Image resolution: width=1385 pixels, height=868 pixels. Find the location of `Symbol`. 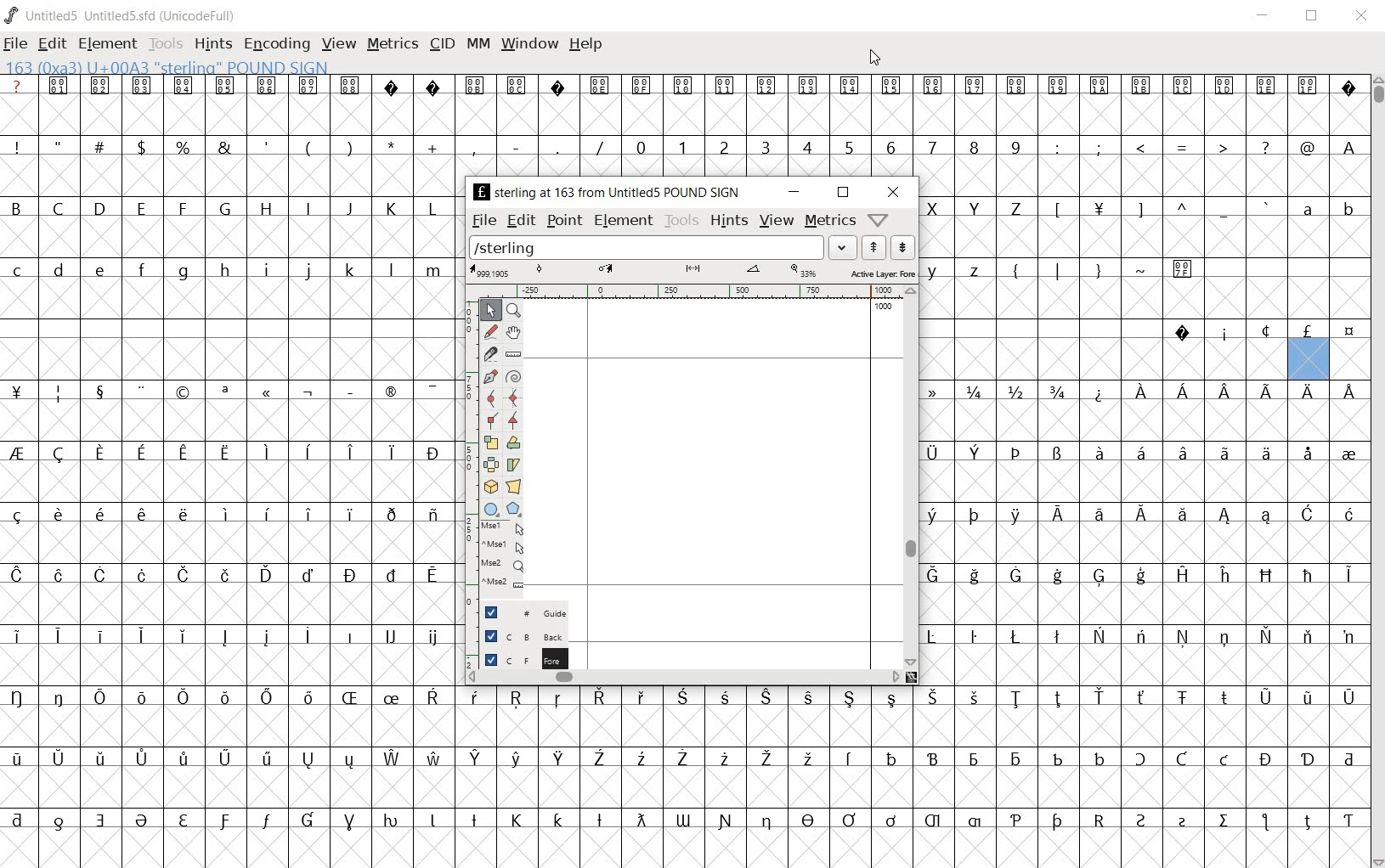

Symbol is located at coordinates (1102, 87).